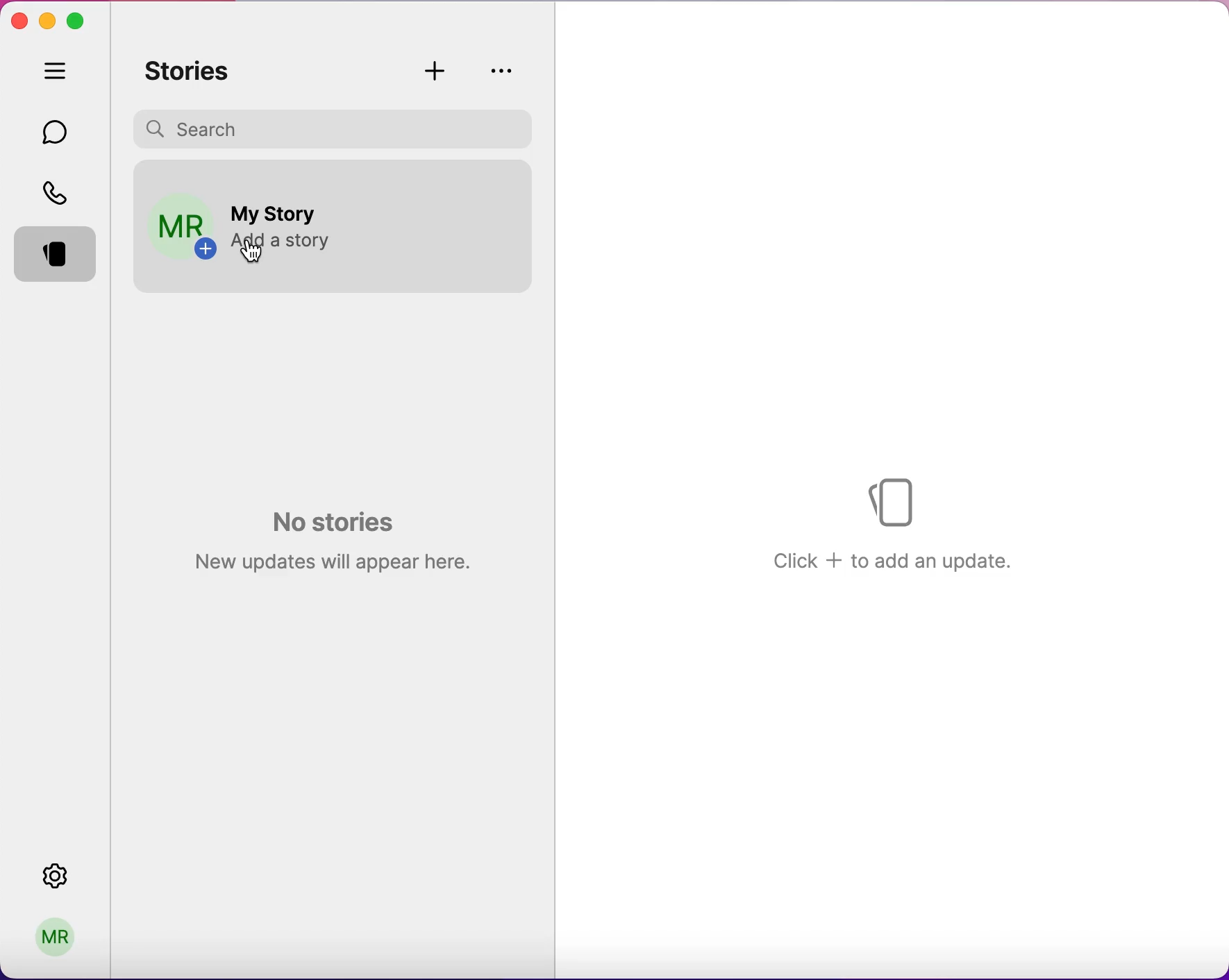 The image size is (1229, 980). I want to click on minimize, so click(48, 18).